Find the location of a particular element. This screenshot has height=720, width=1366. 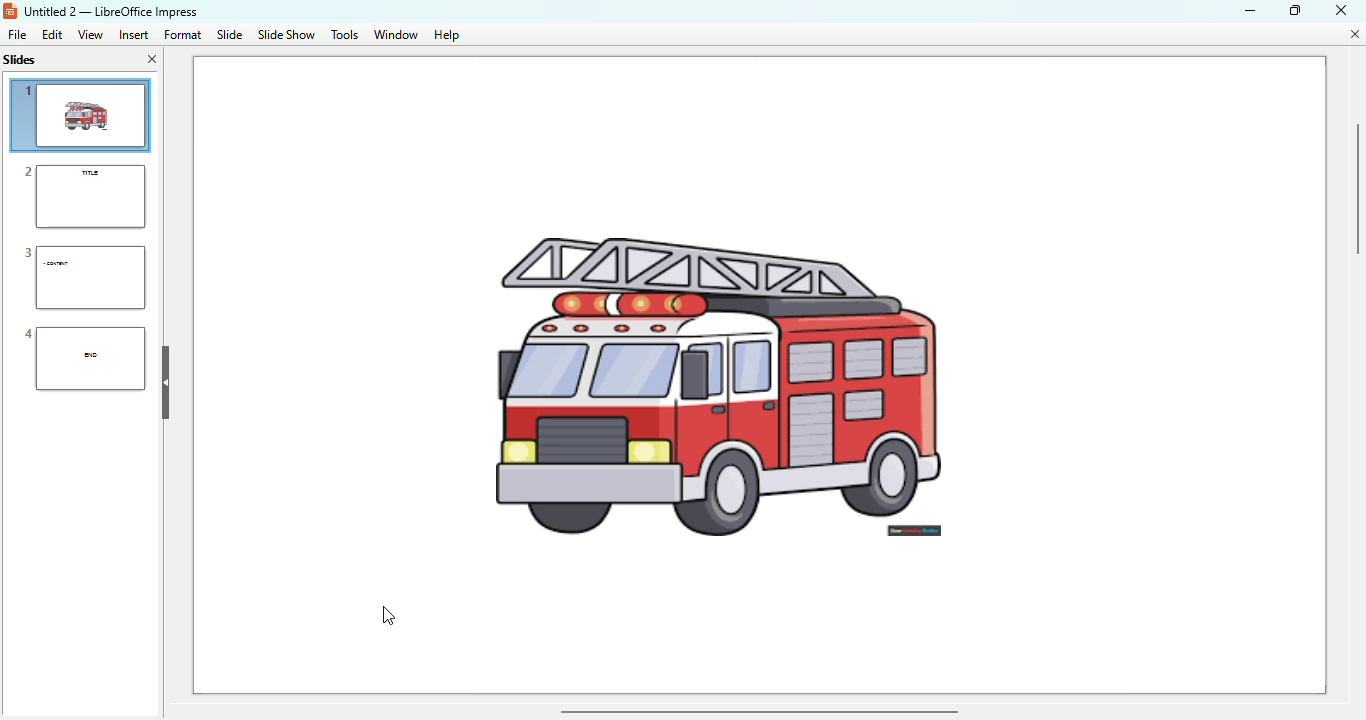

help is located at coordinates (447, 36).